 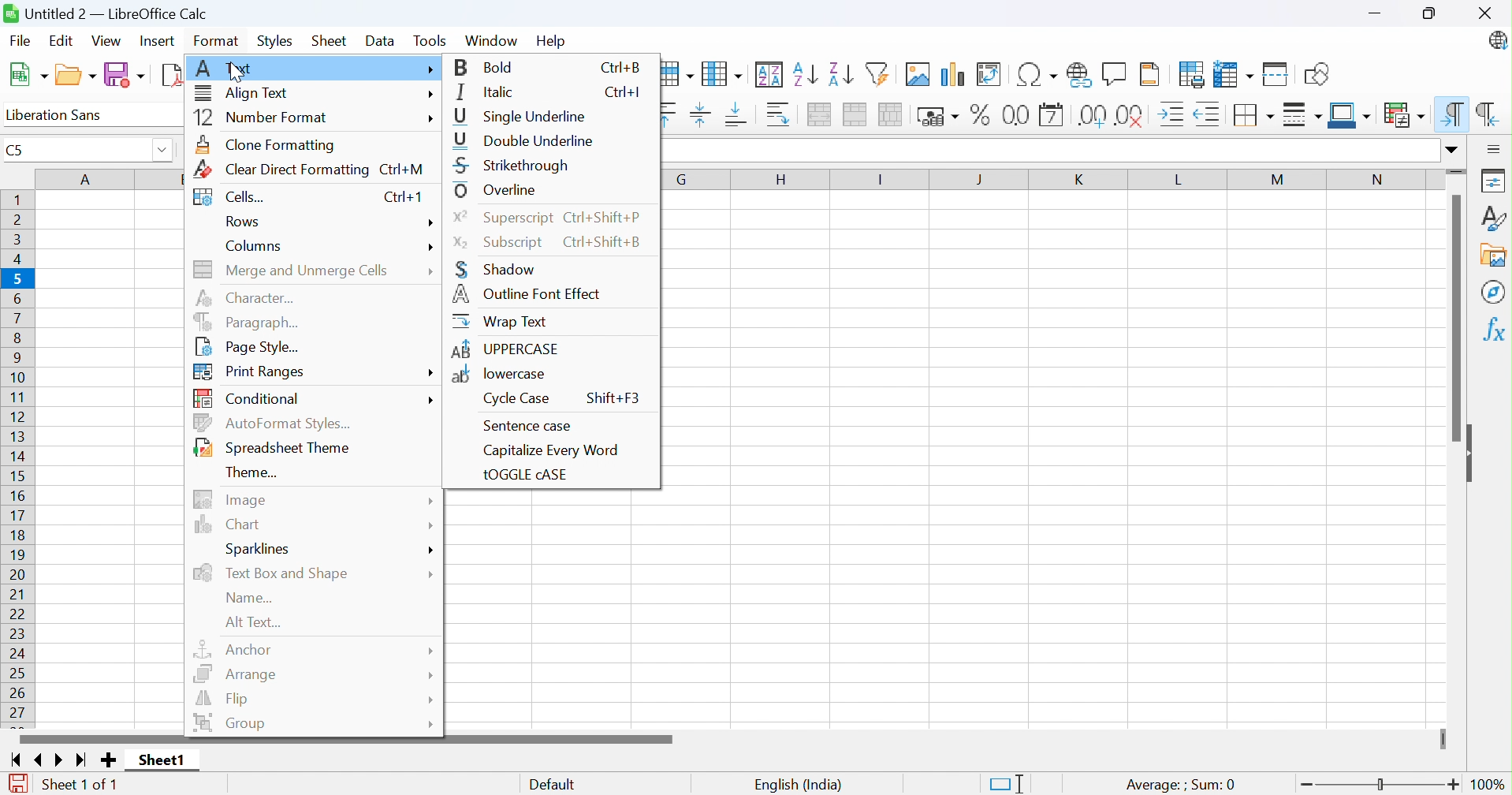 What do you see at coordinates (430, 651) in the screenshot?
I see `More` at bounding box center [430, 651].